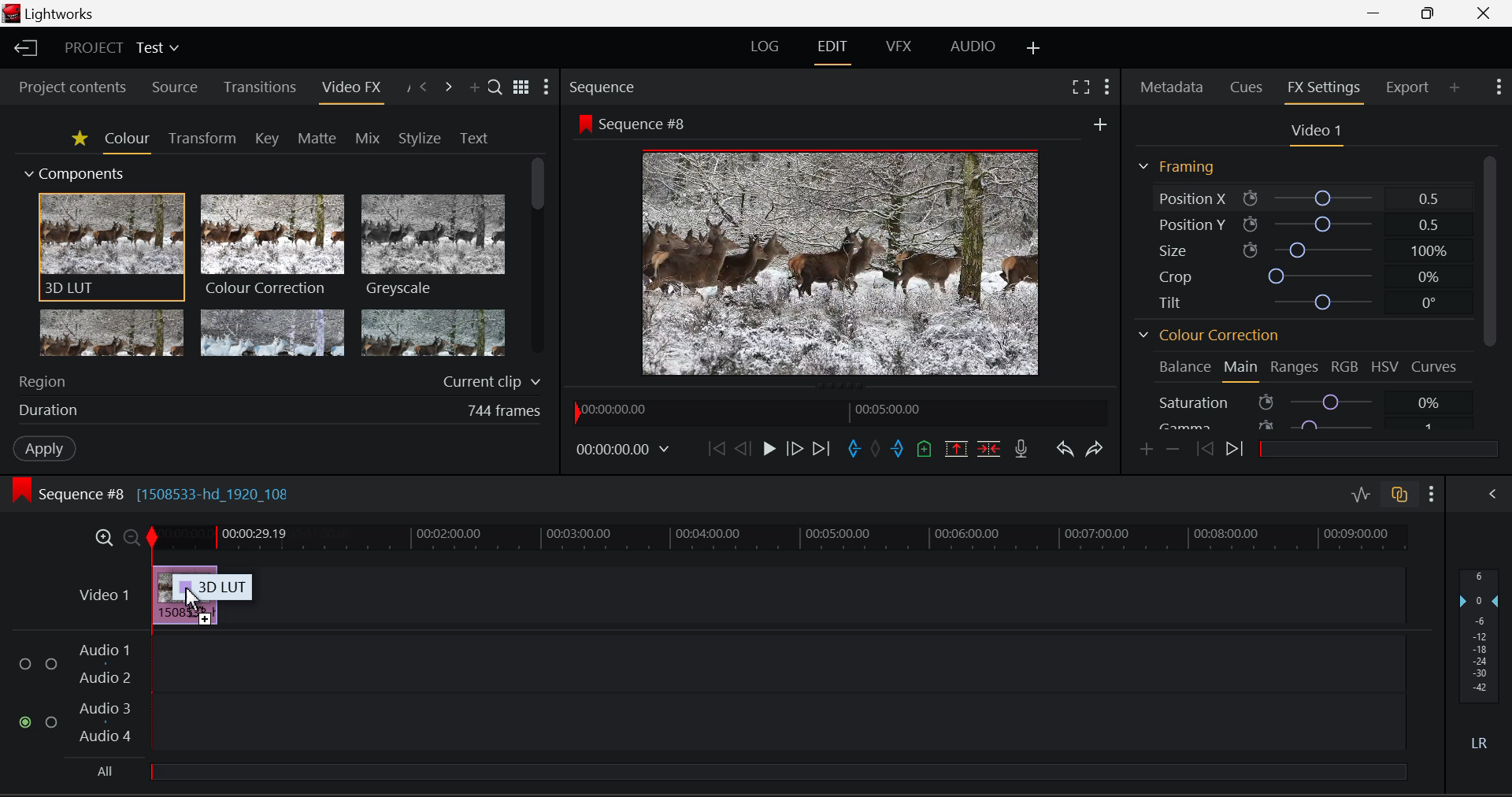 The width and height of the screenshot is (1512, 797). Describe the element at coordinates (53, 664) in the screenshot. I see `Audio Input Checkbox` at that location.